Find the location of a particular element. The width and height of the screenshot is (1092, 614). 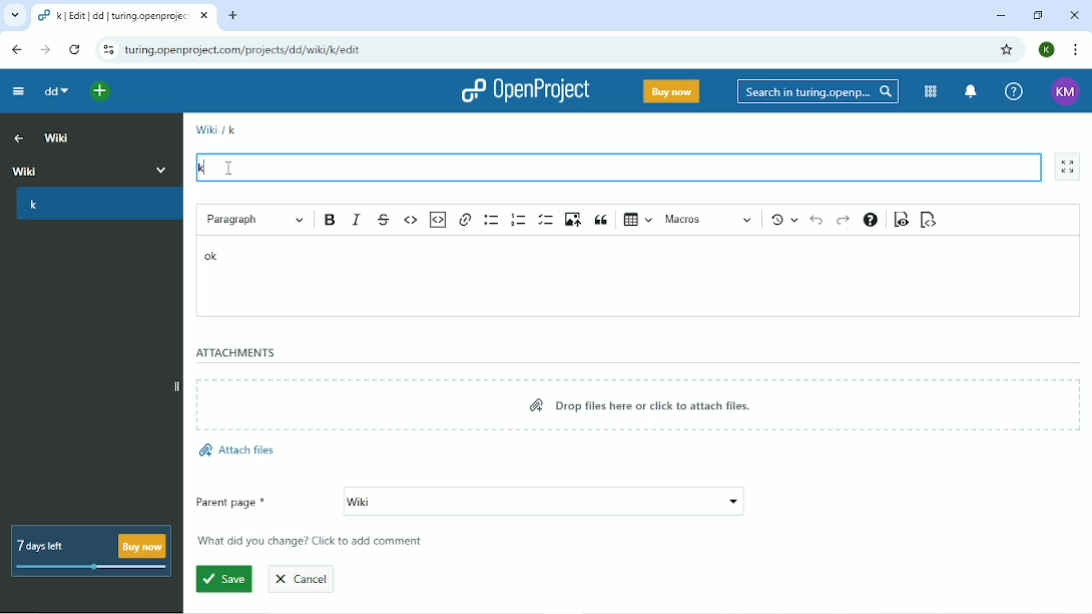

dd is located at coordinates (55, 92).